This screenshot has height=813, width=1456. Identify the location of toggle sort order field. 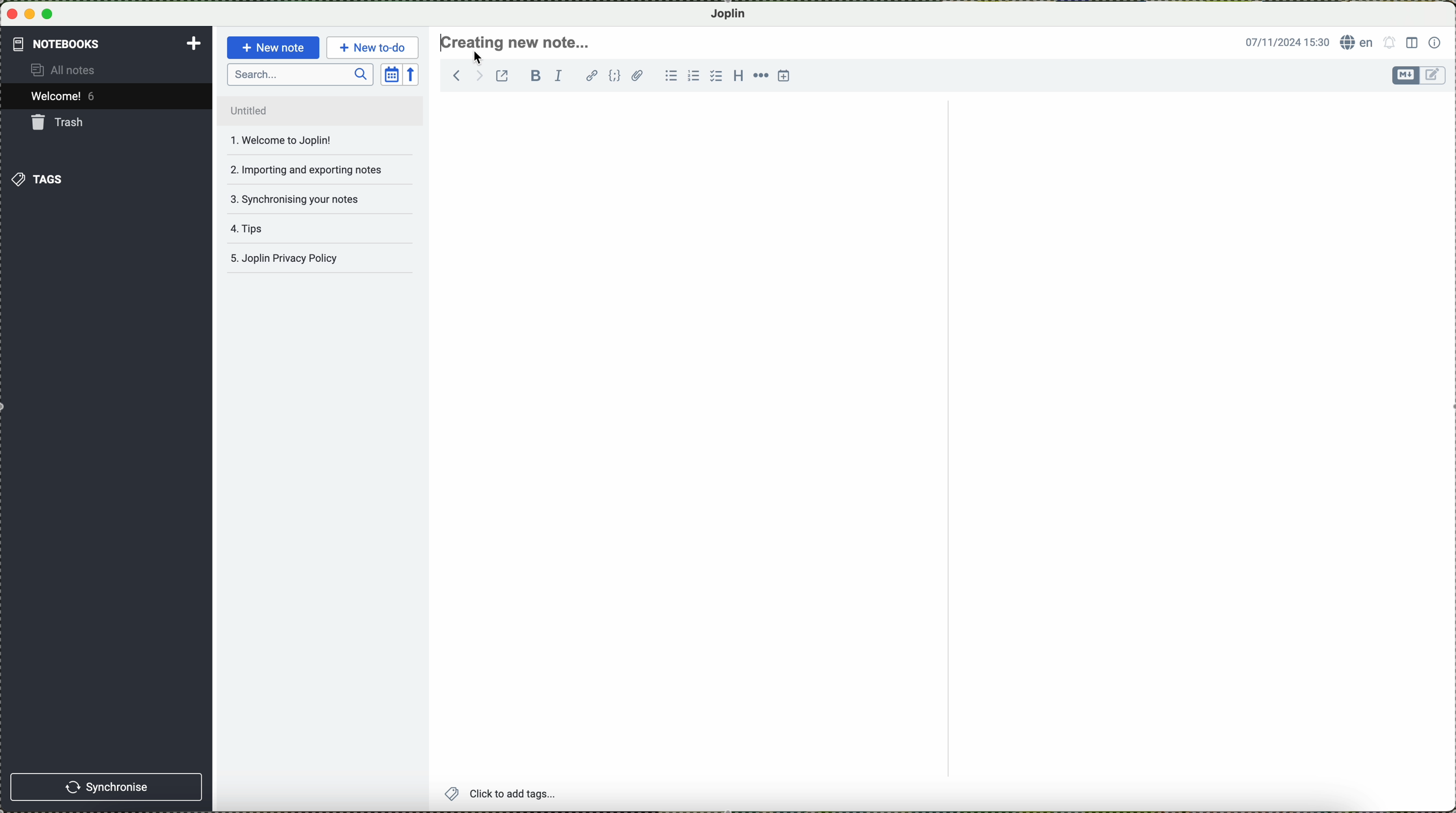
(391, 73).